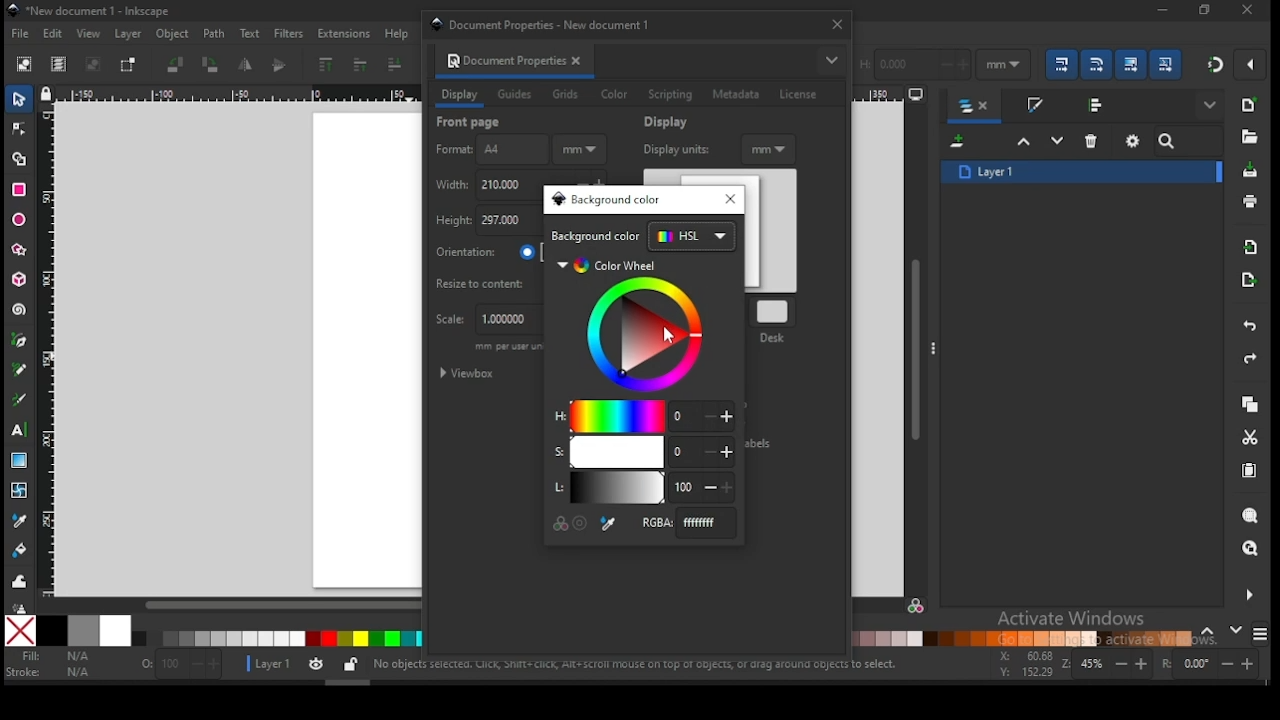 Image resolution: width=1280 pixels, height=720 pixels. I want to click on close window, so click(728, 199).